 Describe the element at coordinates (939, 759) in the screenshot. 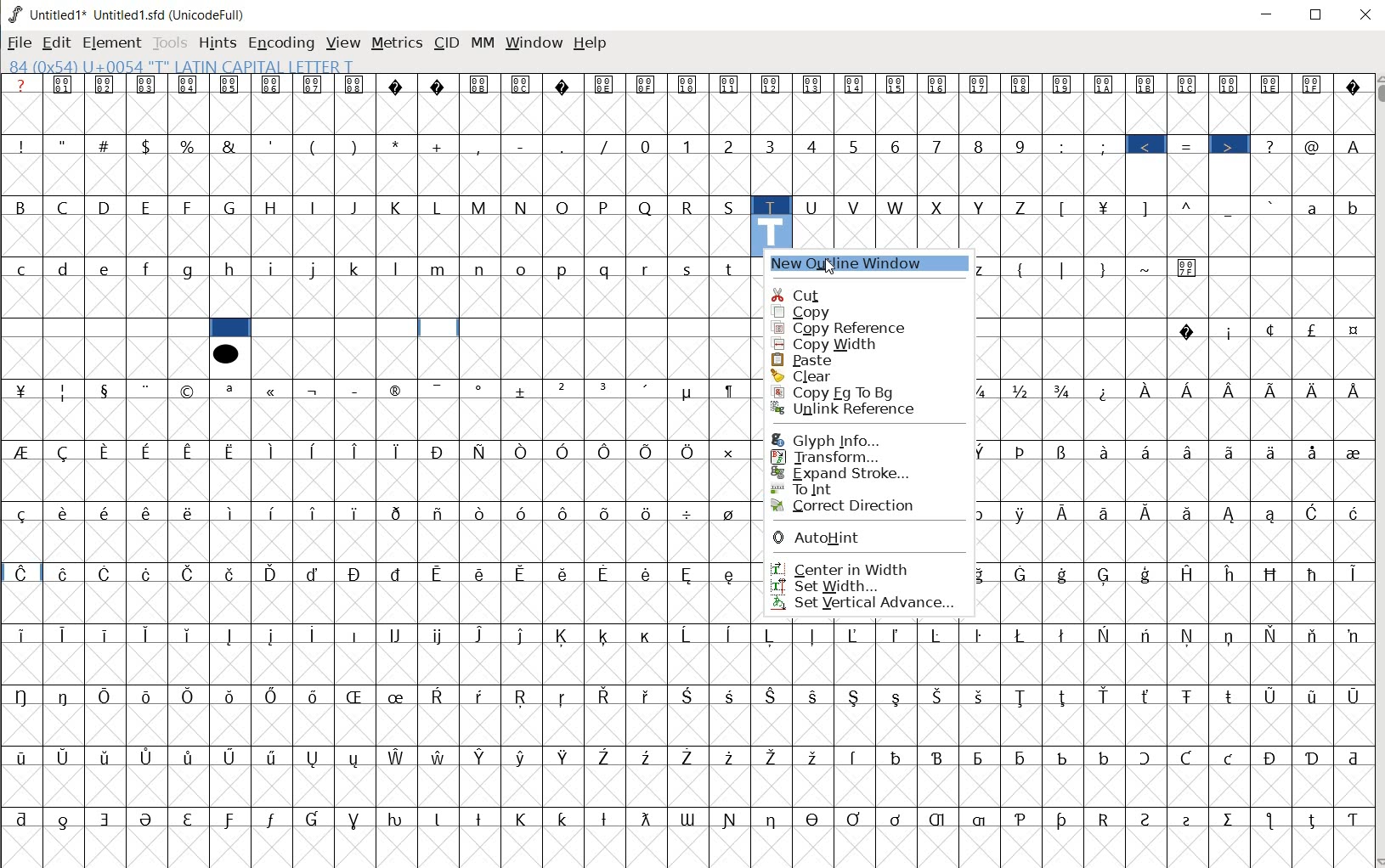

I see `Symbol` at that location.